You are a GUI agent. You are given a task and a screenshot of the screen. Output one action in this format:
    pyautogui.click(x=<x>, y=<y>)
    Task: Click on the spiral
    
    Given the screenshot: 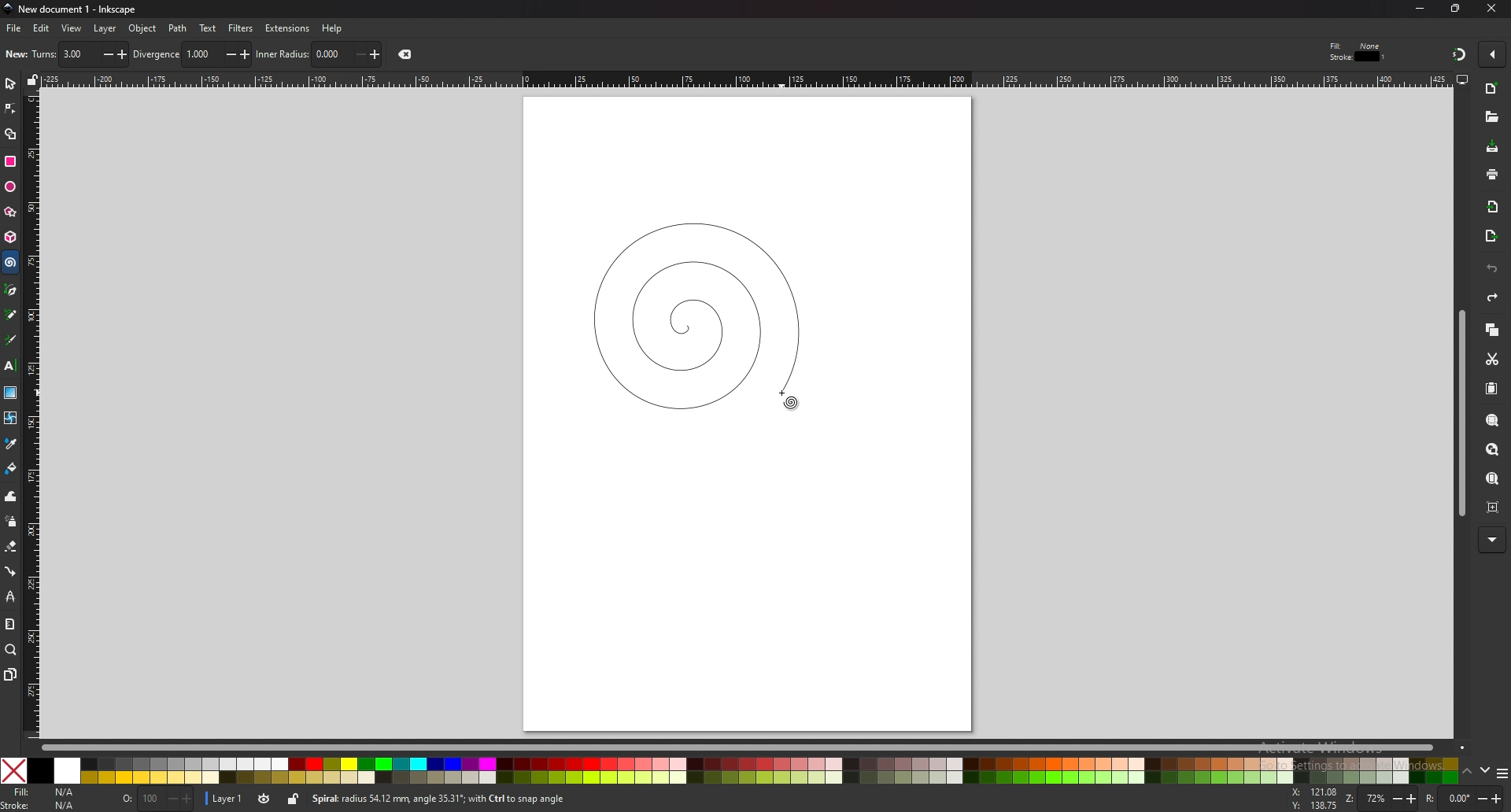 What is the action you would take?
    pyautogui.click(x=694, y=314)
    